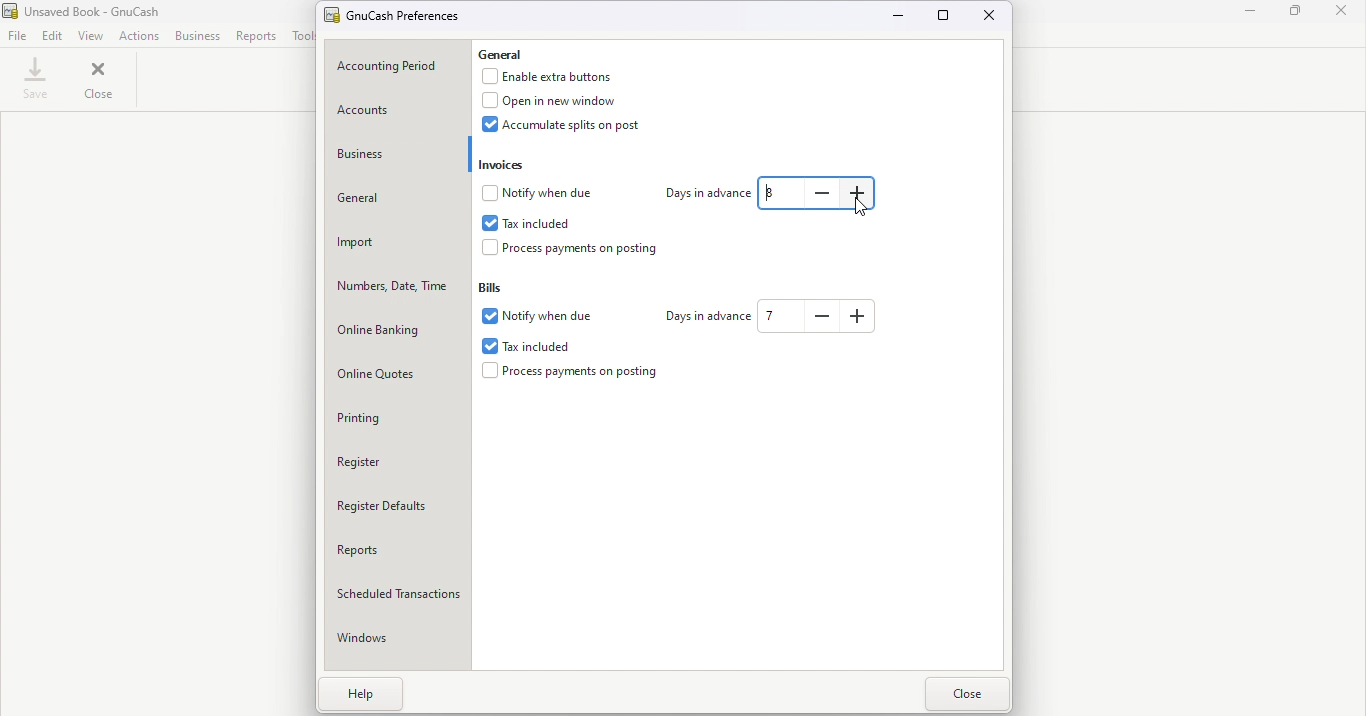 This screenshot has width=1366, height=716. Describe the element at coordinates (53, 35) in the screenshot. I see `Edit` at that location.